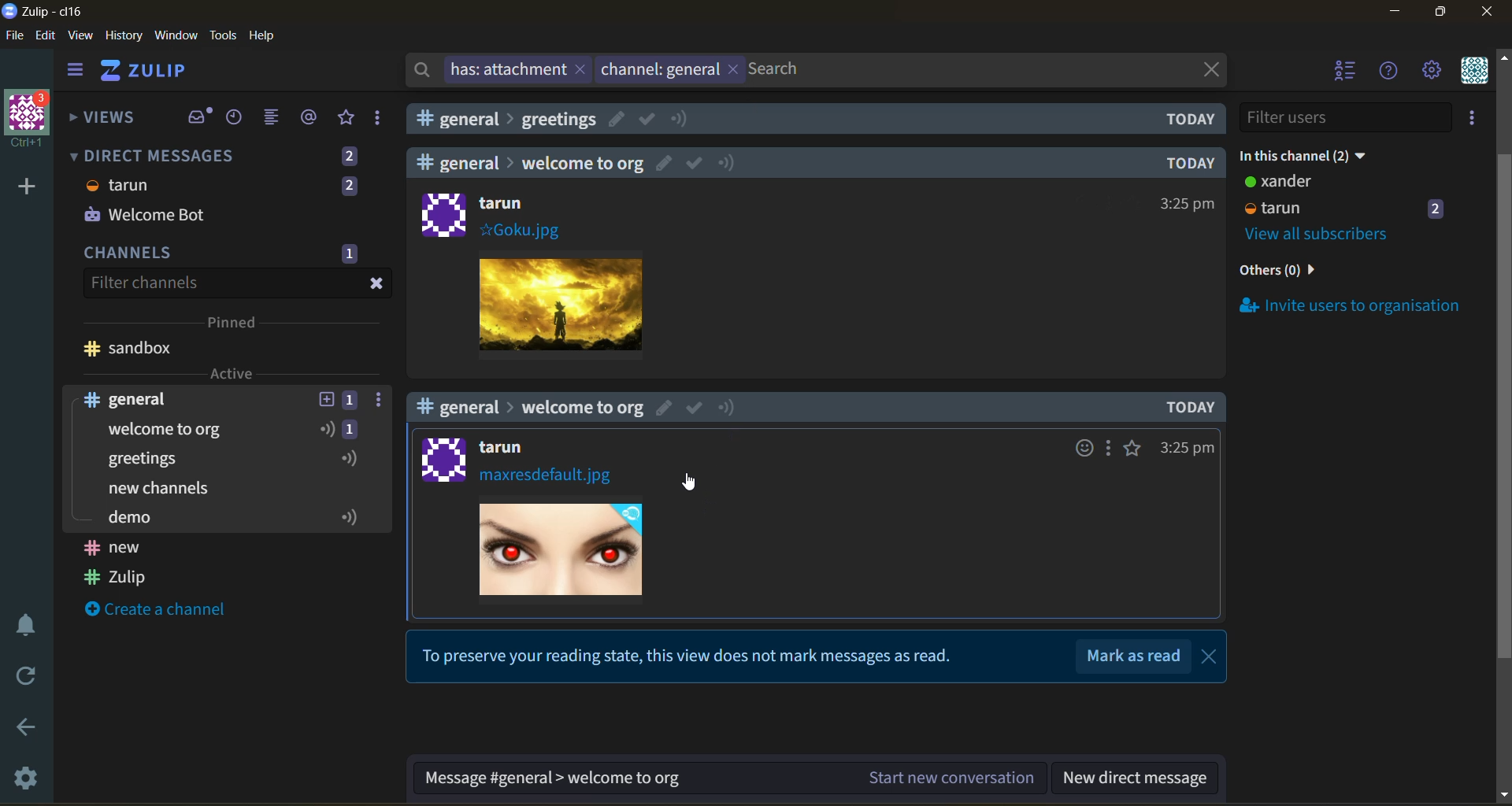 This screenshot has height=806, width=1512. I want to click on mentions, so click(310, 117).